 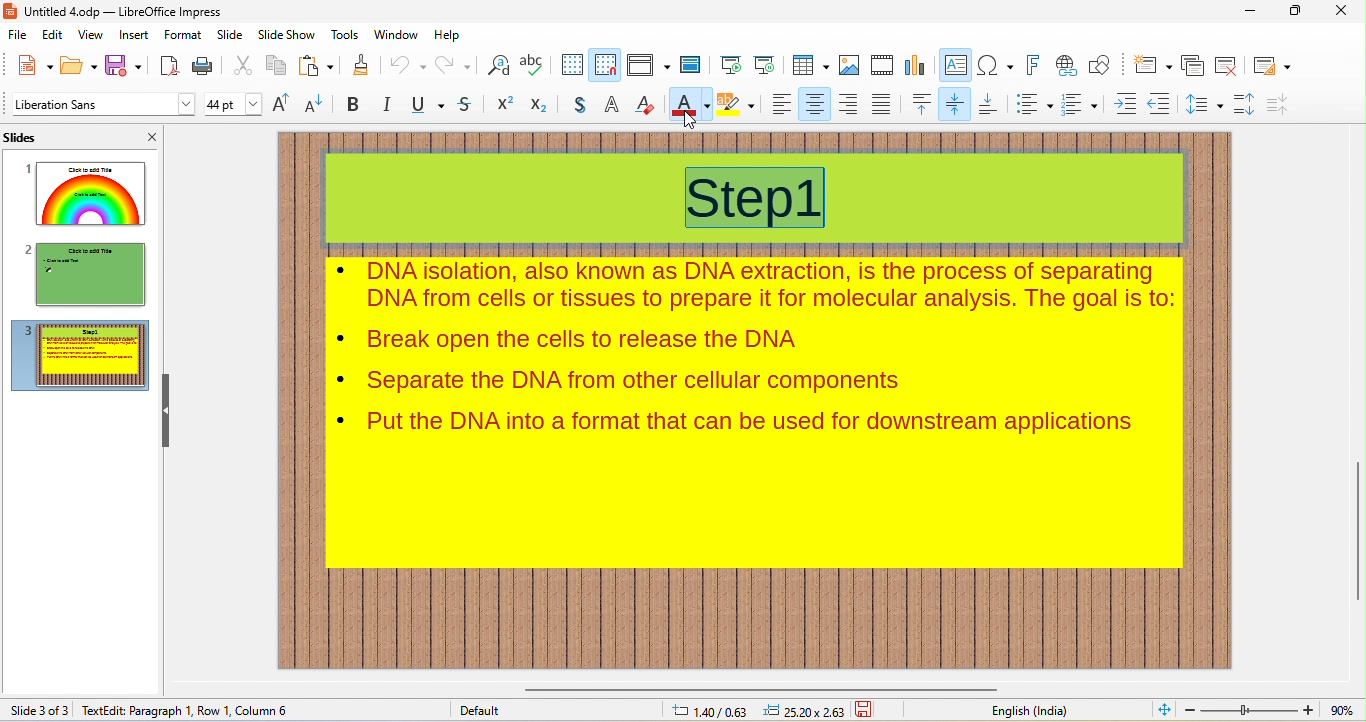 What do you see at coordinates (171, 415) in the screenshot?
I see `hide` at bounding box center [171, 415].